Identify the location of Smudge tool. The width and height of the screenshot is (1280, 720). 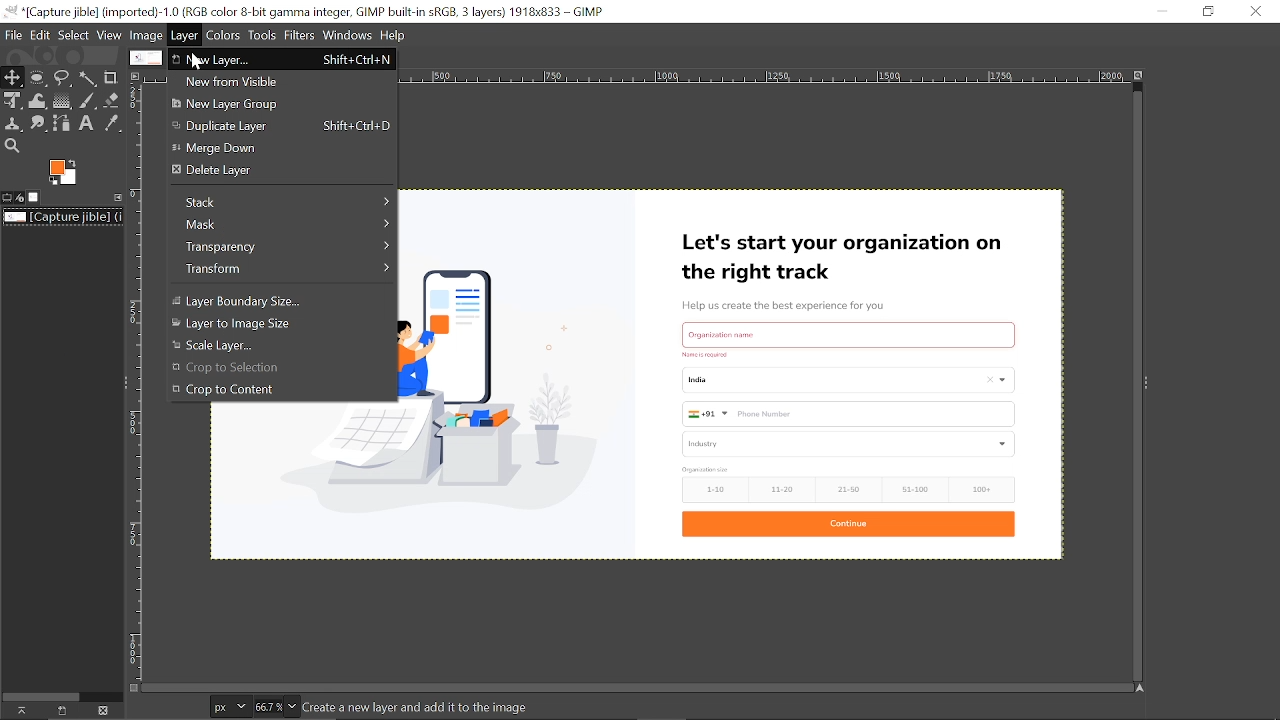
(40, 124).